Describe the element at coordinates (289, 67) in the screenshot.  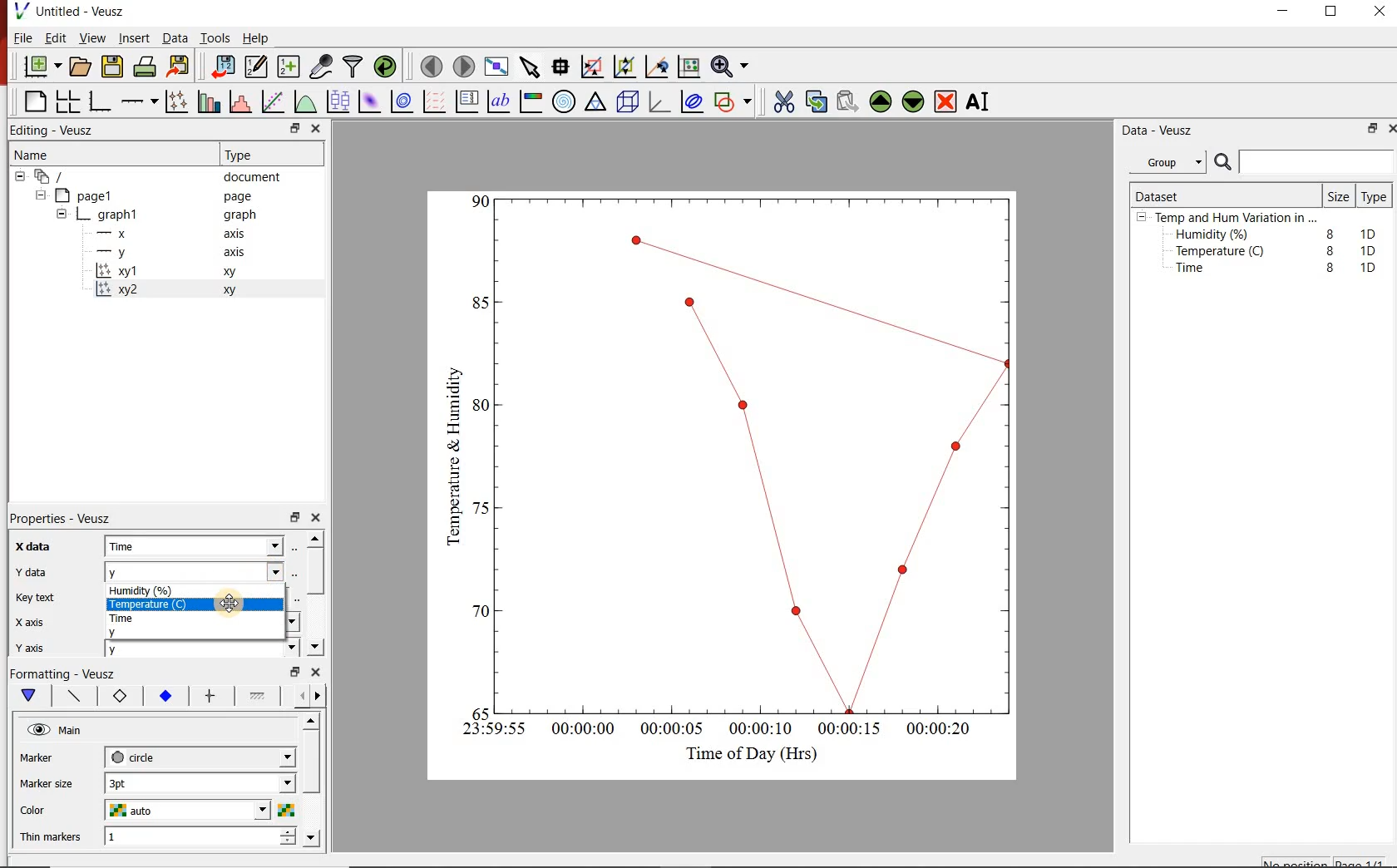
I see `create new datasets using ranges, parametrically or as functions of existing datasets` at that location.